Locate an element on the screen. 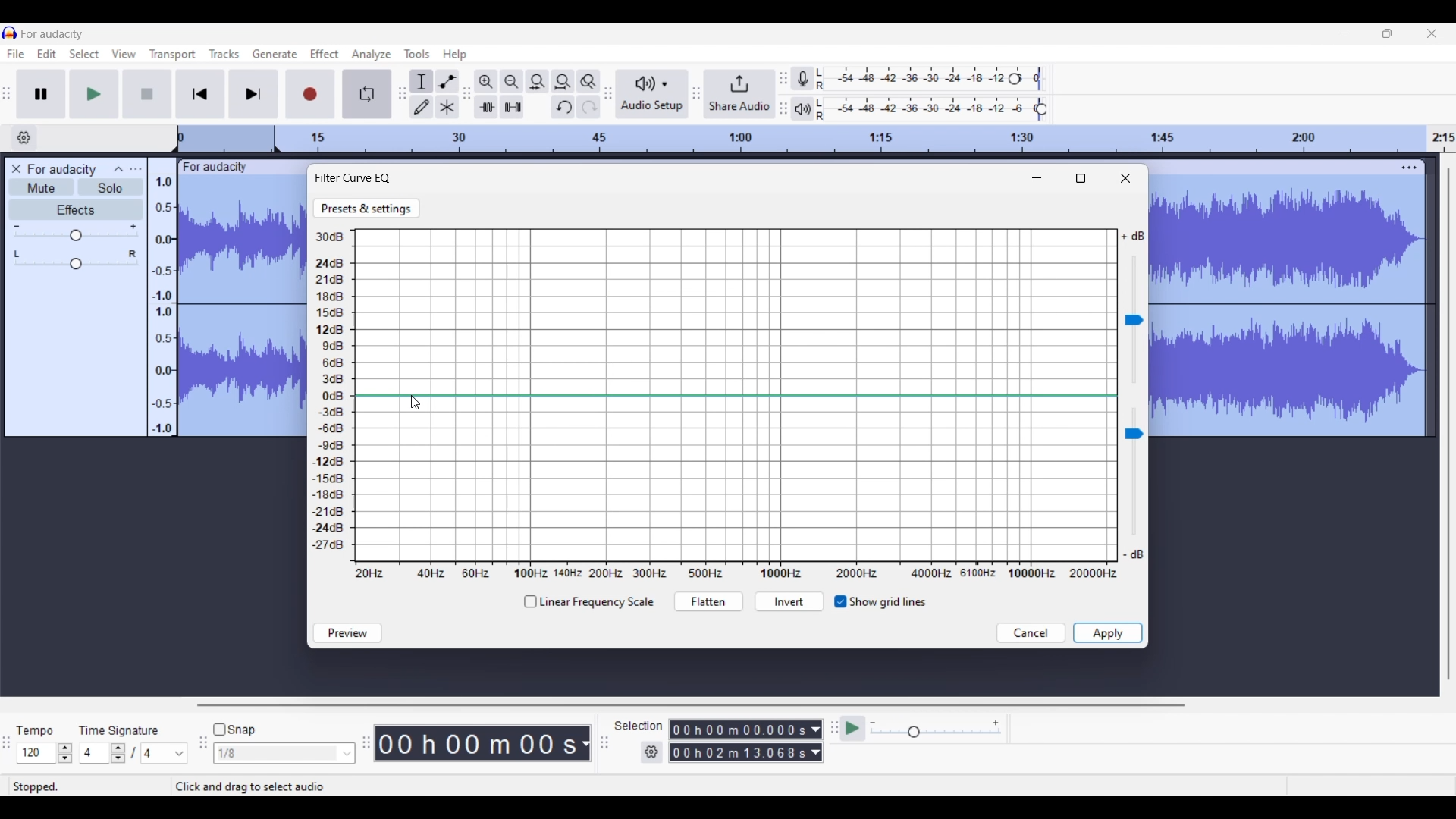 The width and height of the screenshot is (1456, 819). Toggle for linear frequency scale is located at coordinates (588, 602).